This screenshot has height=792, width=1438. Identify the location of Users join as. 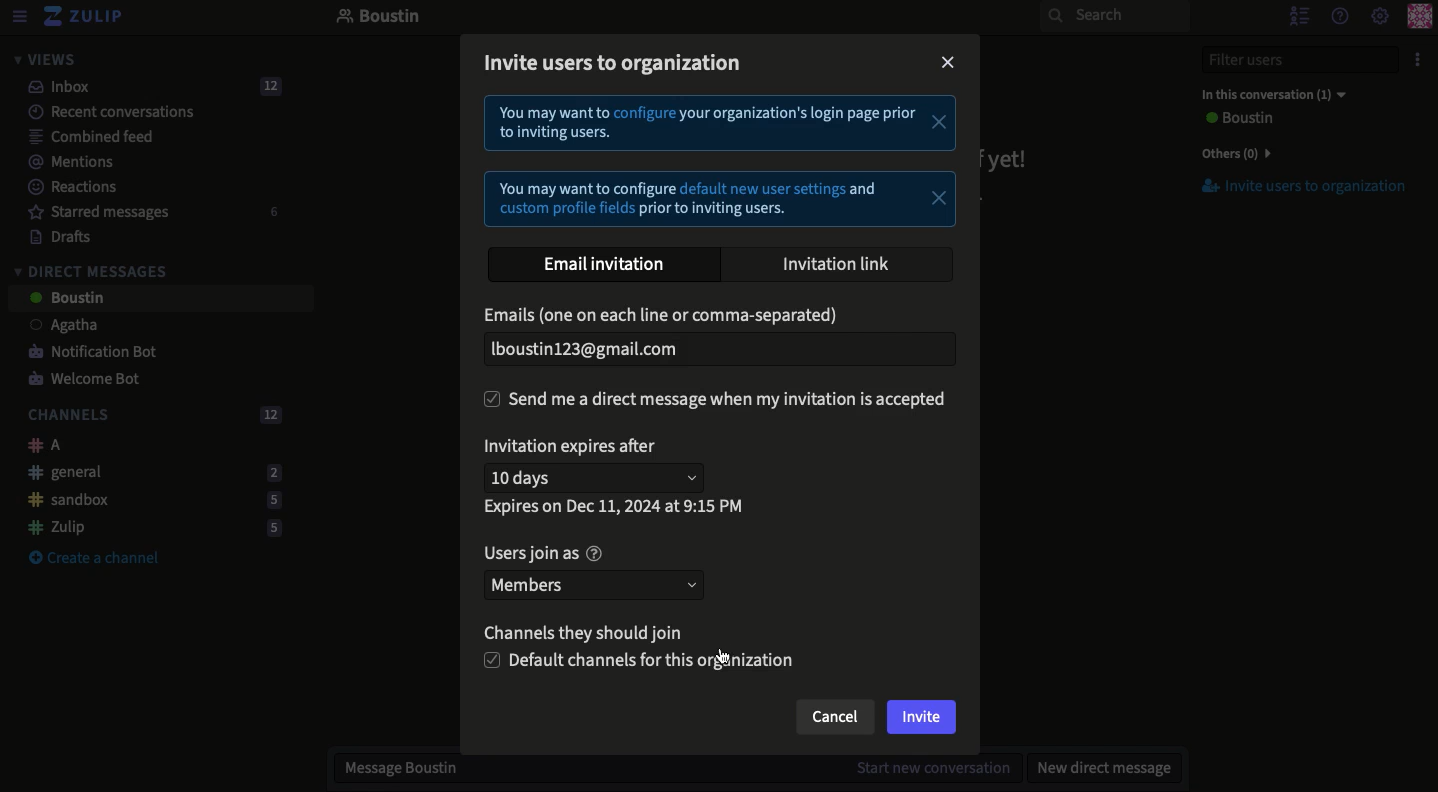
(542, 555).